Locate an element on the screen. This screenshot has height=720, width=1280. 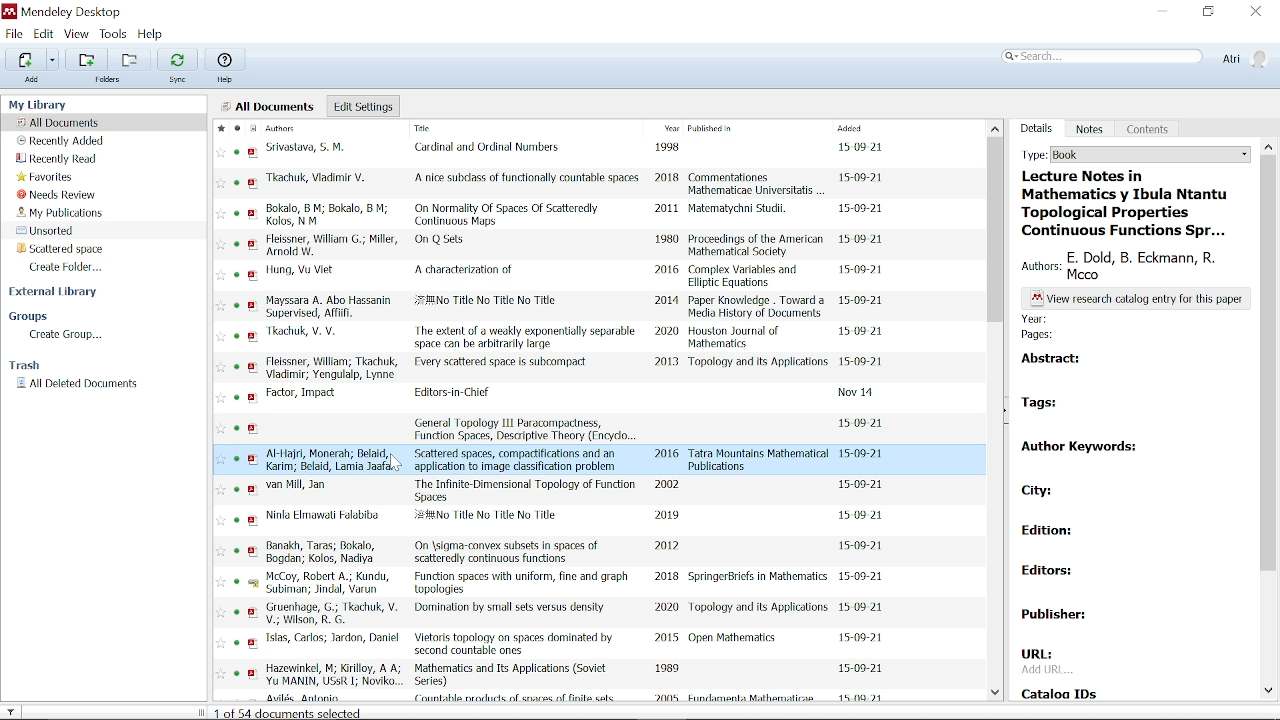
title is located at coordinates (444, 241).